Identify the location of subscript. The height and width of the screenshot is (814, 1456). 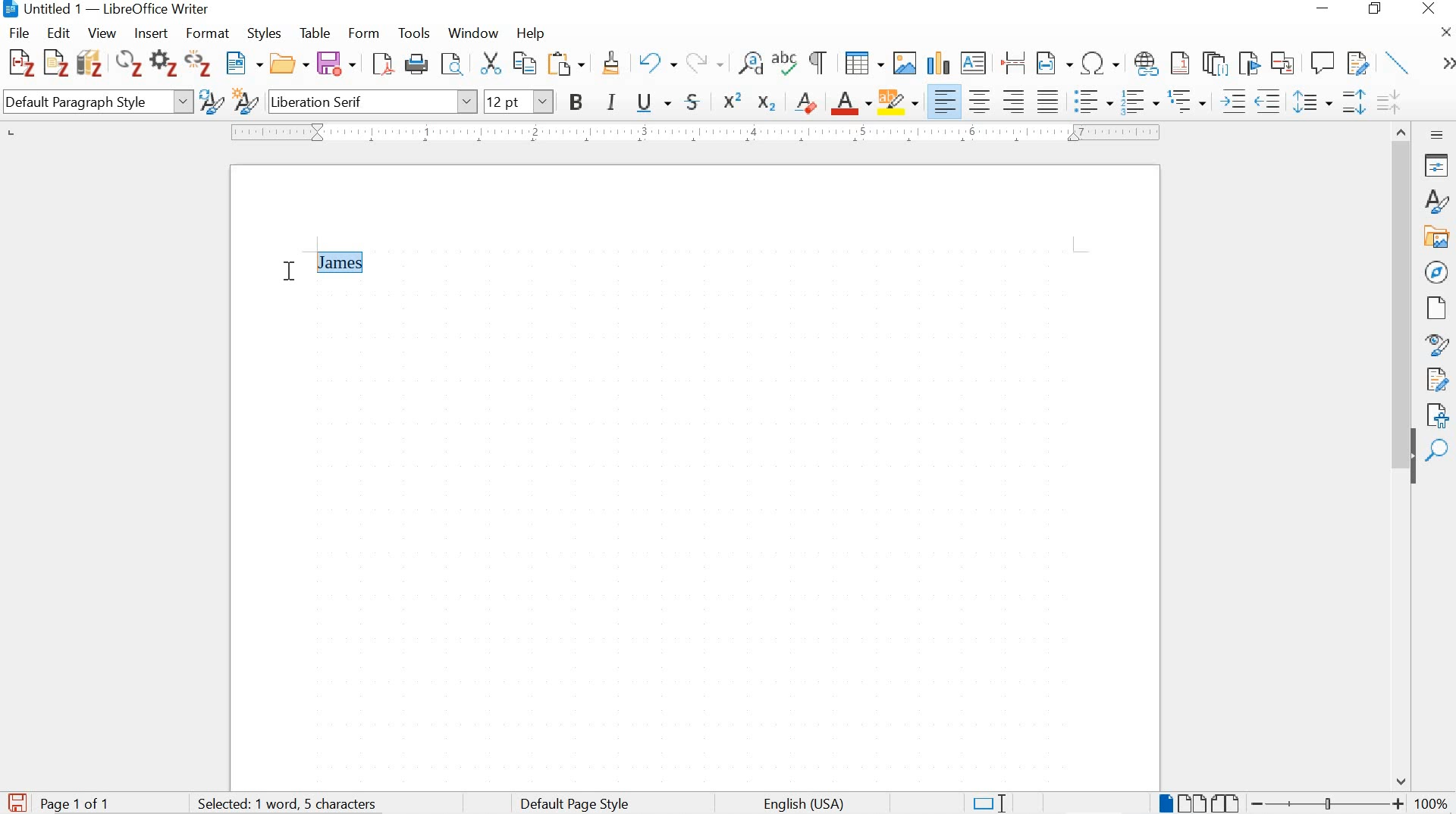
(765, 103).